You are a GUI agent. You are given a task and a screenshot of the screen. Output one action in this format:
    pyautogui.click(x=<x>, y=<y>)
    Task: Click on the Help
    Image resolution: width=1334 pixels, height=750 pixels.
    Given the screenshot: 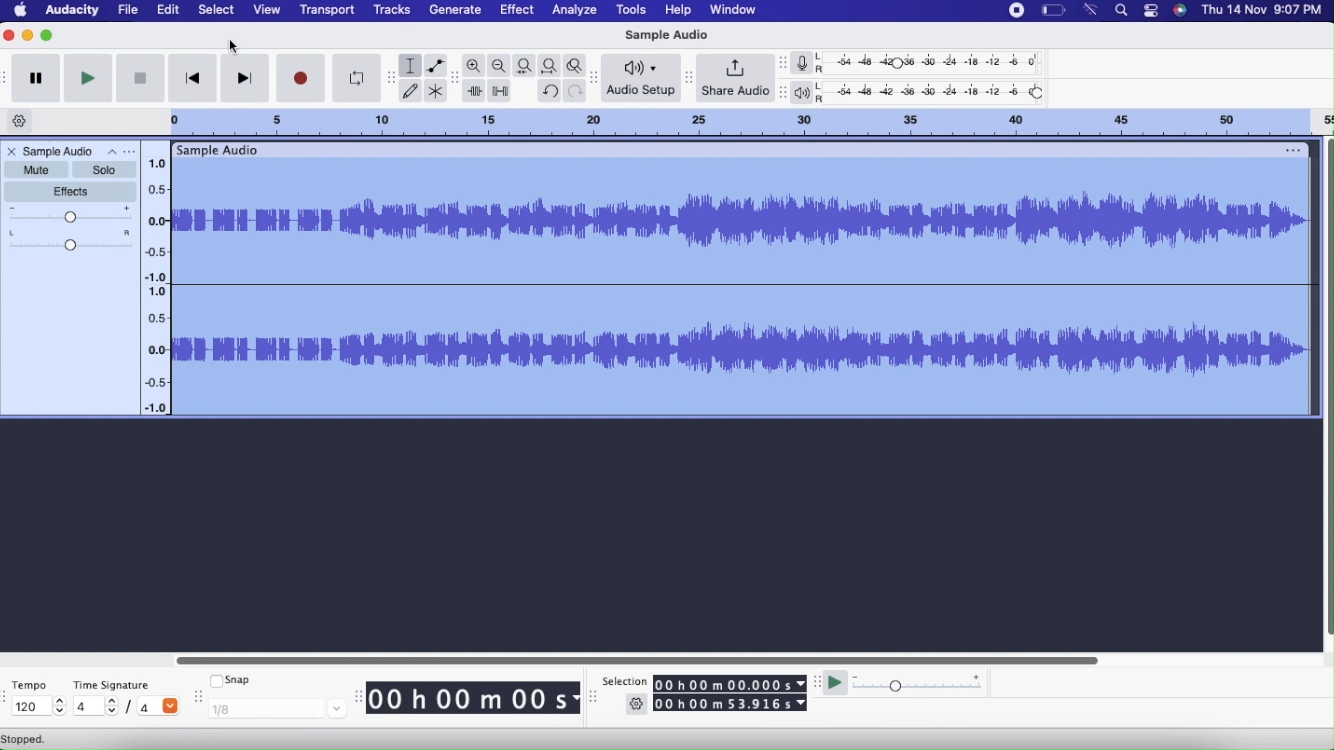 What is the action you would take?
    pyautogui.click(x=679, y=10)
    